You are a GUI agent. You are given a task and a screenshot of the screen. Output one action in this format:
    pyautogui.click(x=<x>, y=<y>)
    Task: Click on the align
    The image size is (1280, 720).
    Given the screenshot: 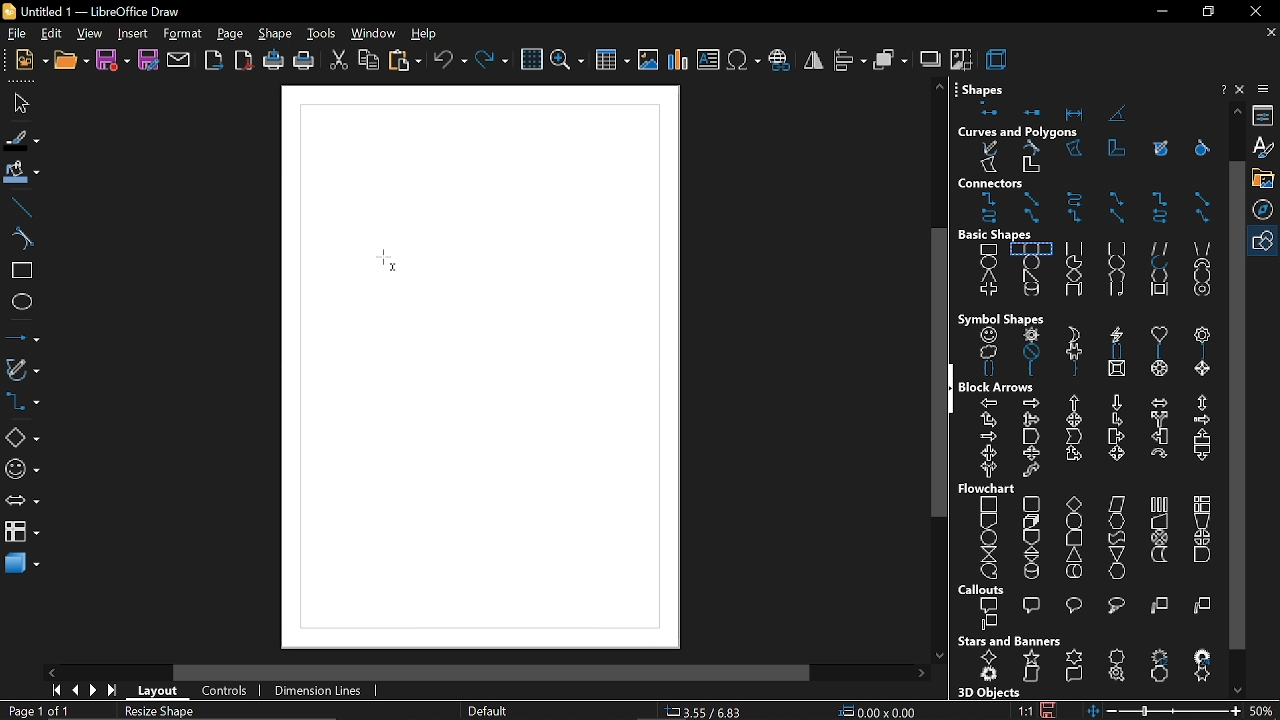 What is the action you would take?
    pyautogui.click(x=851, y=59)
    